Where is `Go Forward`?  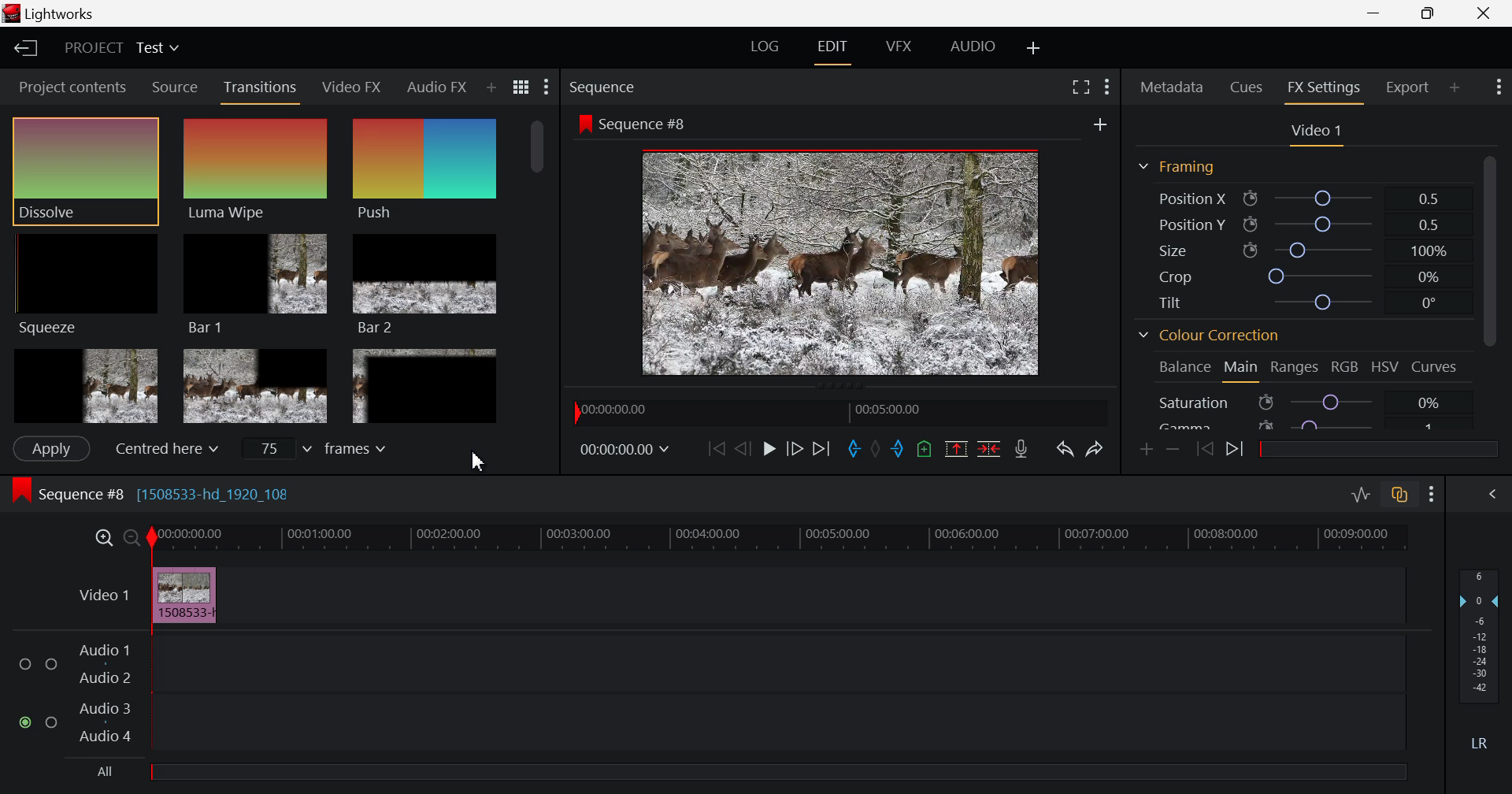 Go Forward is located at coordinates (793, 450).